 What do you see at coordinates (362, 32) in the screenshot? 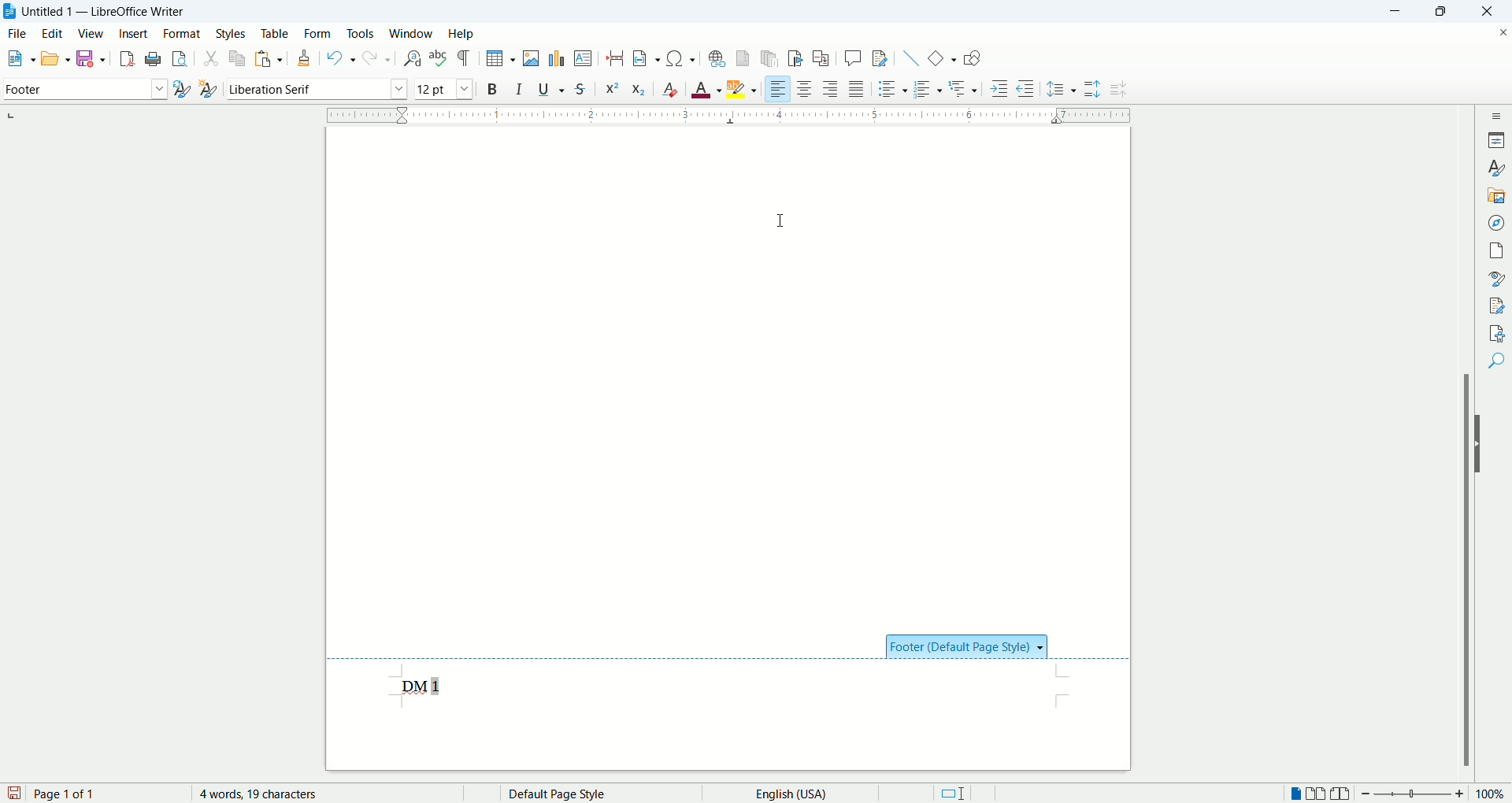
I see `tools` at bounding box center [362, 32].